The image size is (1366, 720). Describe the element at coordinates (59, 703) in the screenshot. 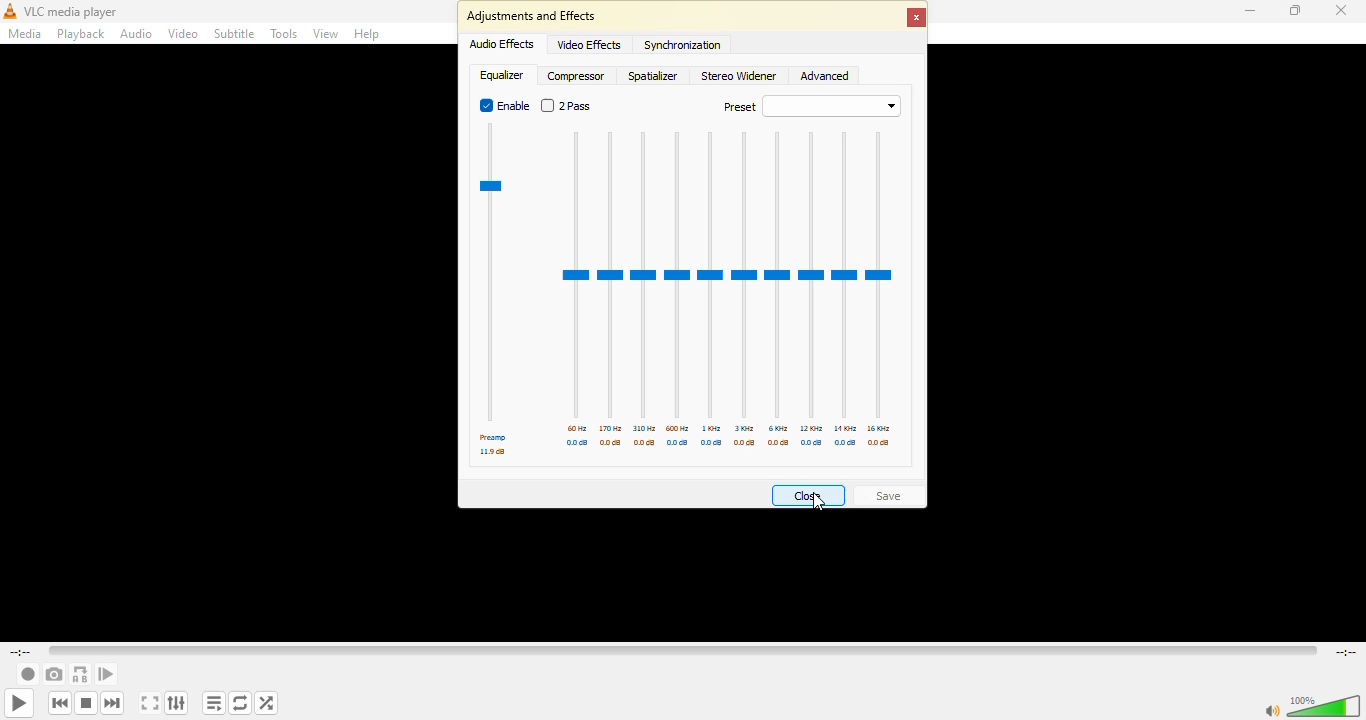

I see `previous media in playlist` at that location.